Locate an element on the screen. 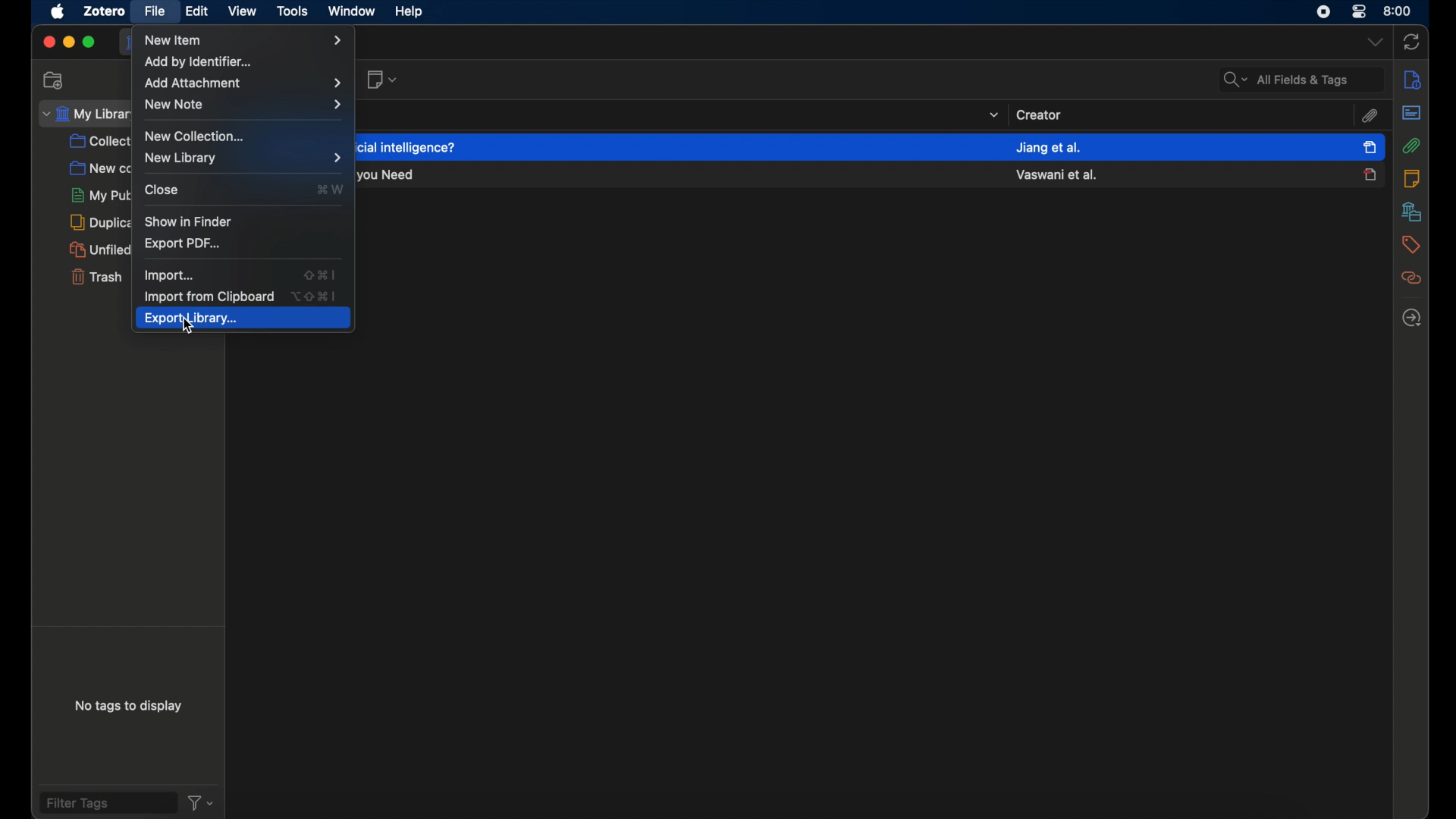  all fields and tags is located at coordinates (1301, 79).